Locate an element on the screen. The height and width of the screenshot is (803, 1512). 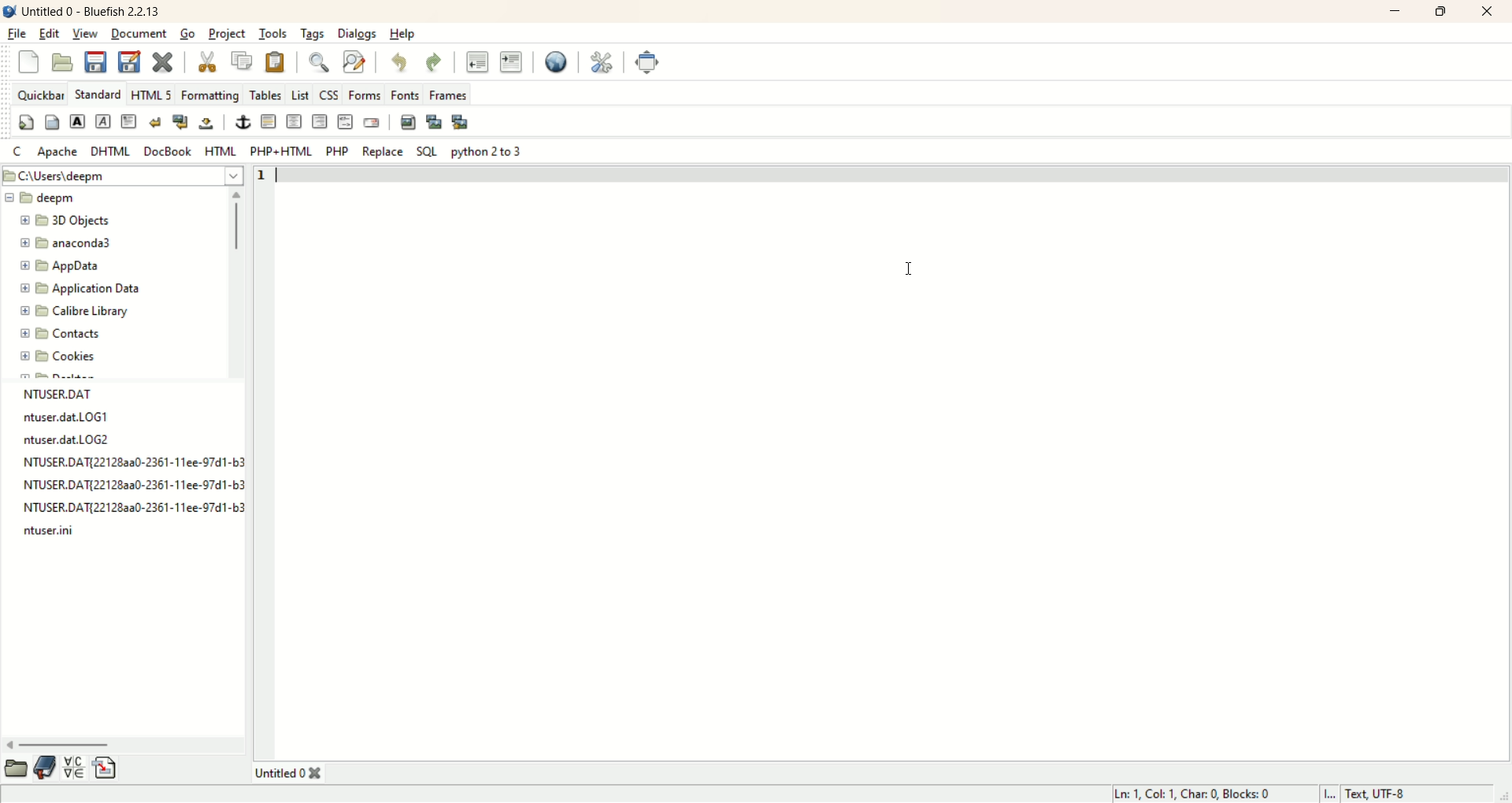
fullscreen is located at coordinates (650, 61).